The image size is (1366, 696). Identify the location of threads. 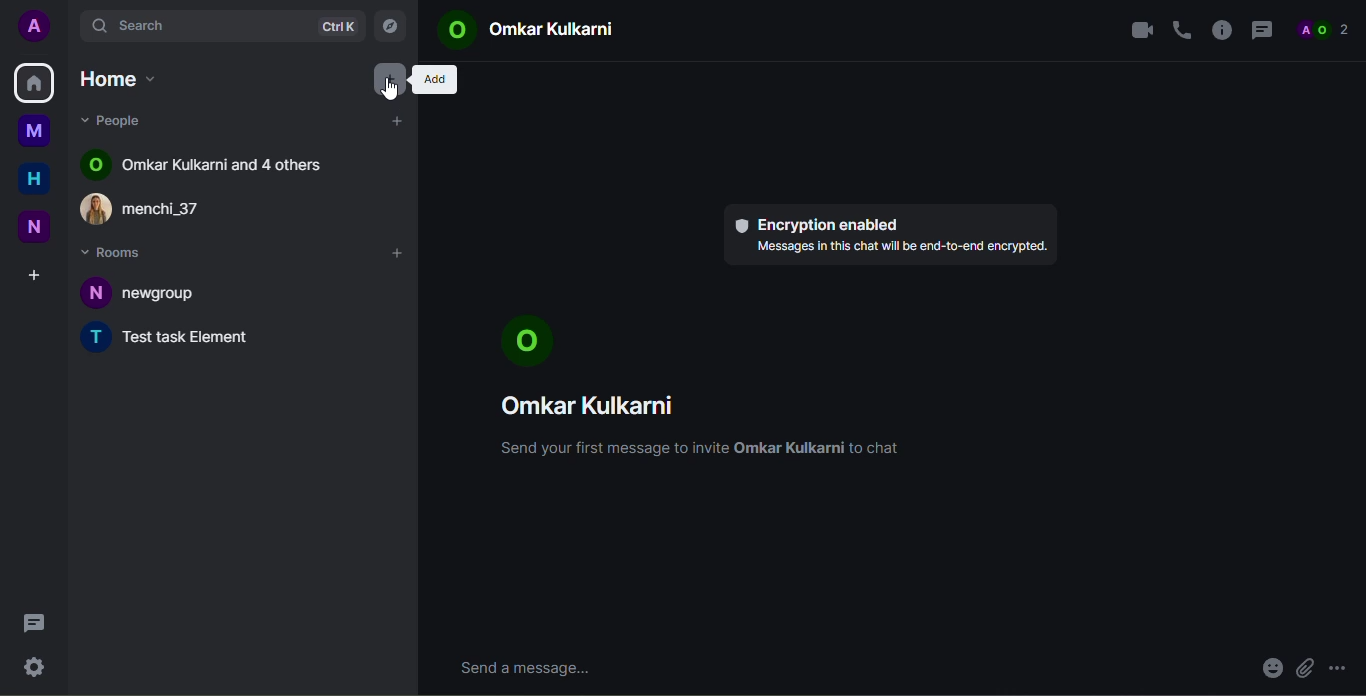
(1261, 30).